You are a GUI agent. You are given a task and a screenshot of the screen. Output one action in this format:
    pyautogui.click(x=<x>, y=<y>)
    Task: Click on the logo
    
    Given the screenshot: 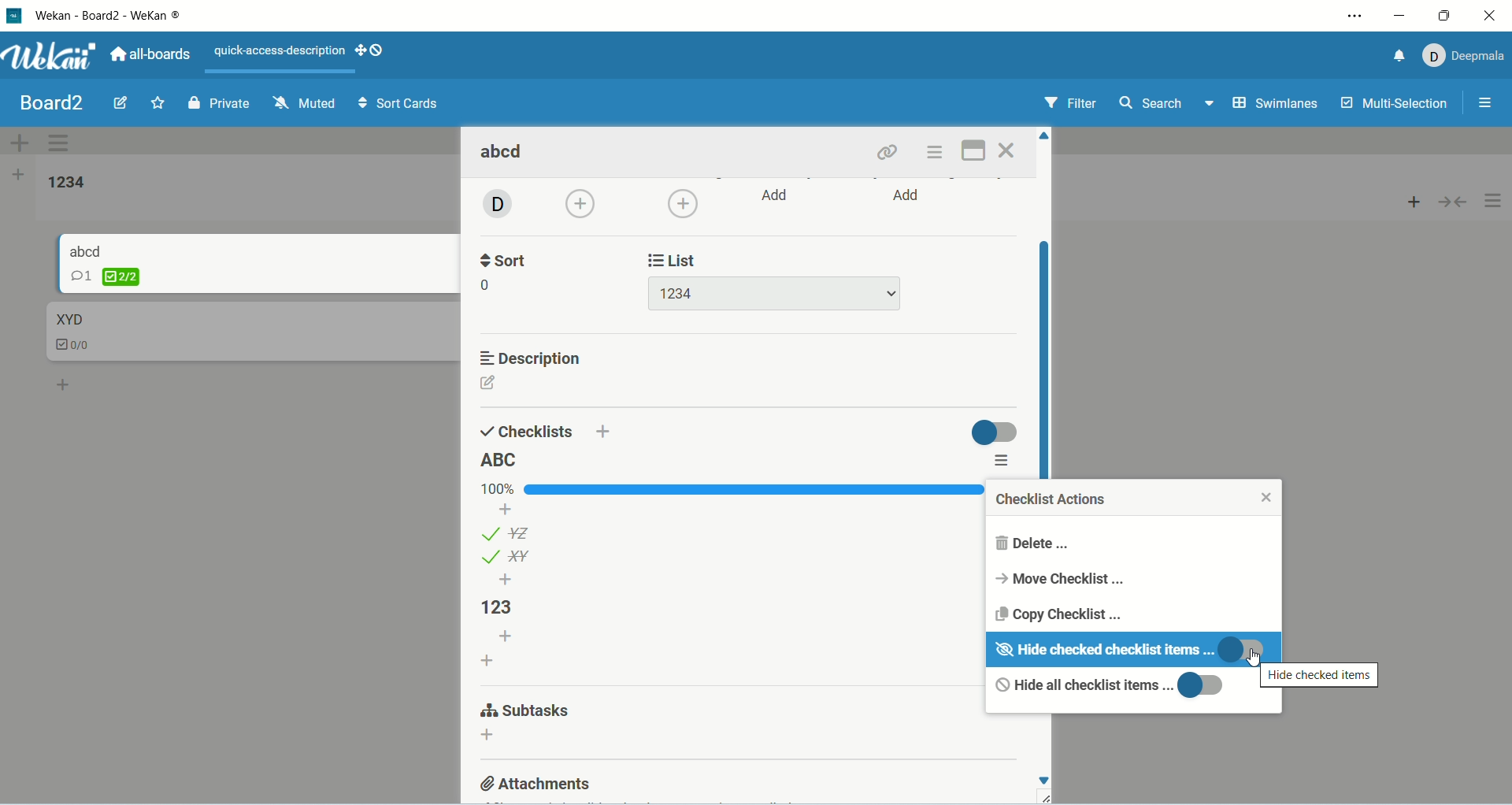 What is the action you would take?
    pyautogui.click(x=13, y=17)
    